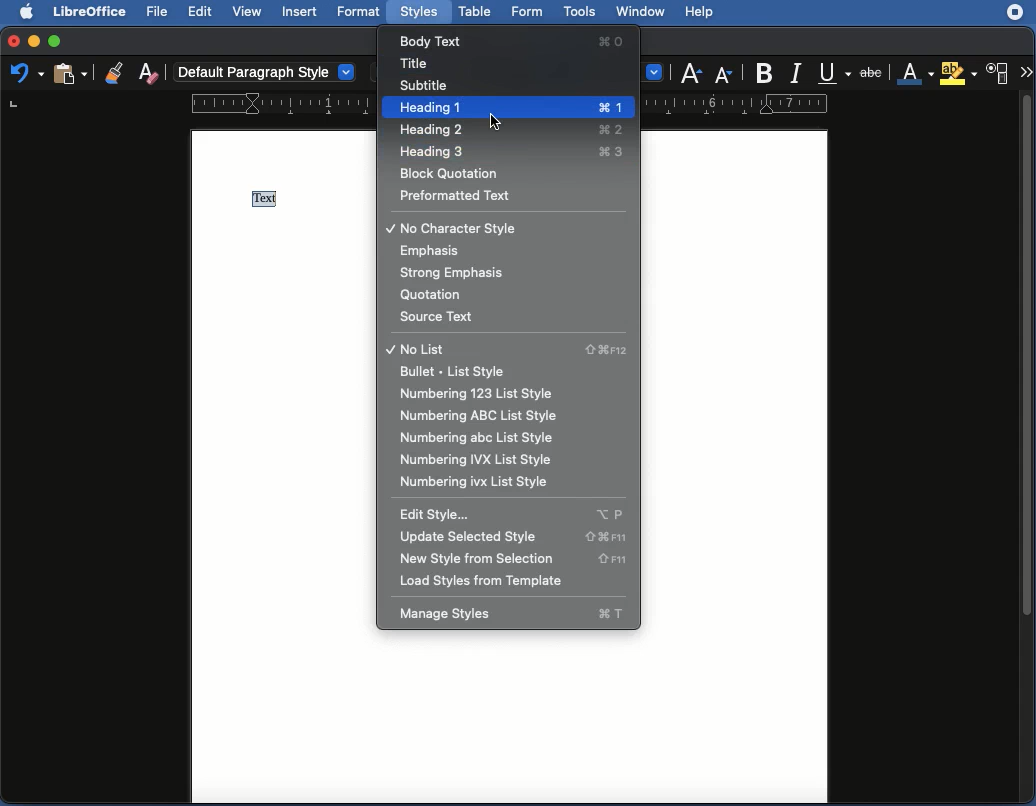 Image resolution: width=1036 pixels, height=806 pixels. Describe the element at coordinates (159, 12) in the screenshot. I see `File` at that location.